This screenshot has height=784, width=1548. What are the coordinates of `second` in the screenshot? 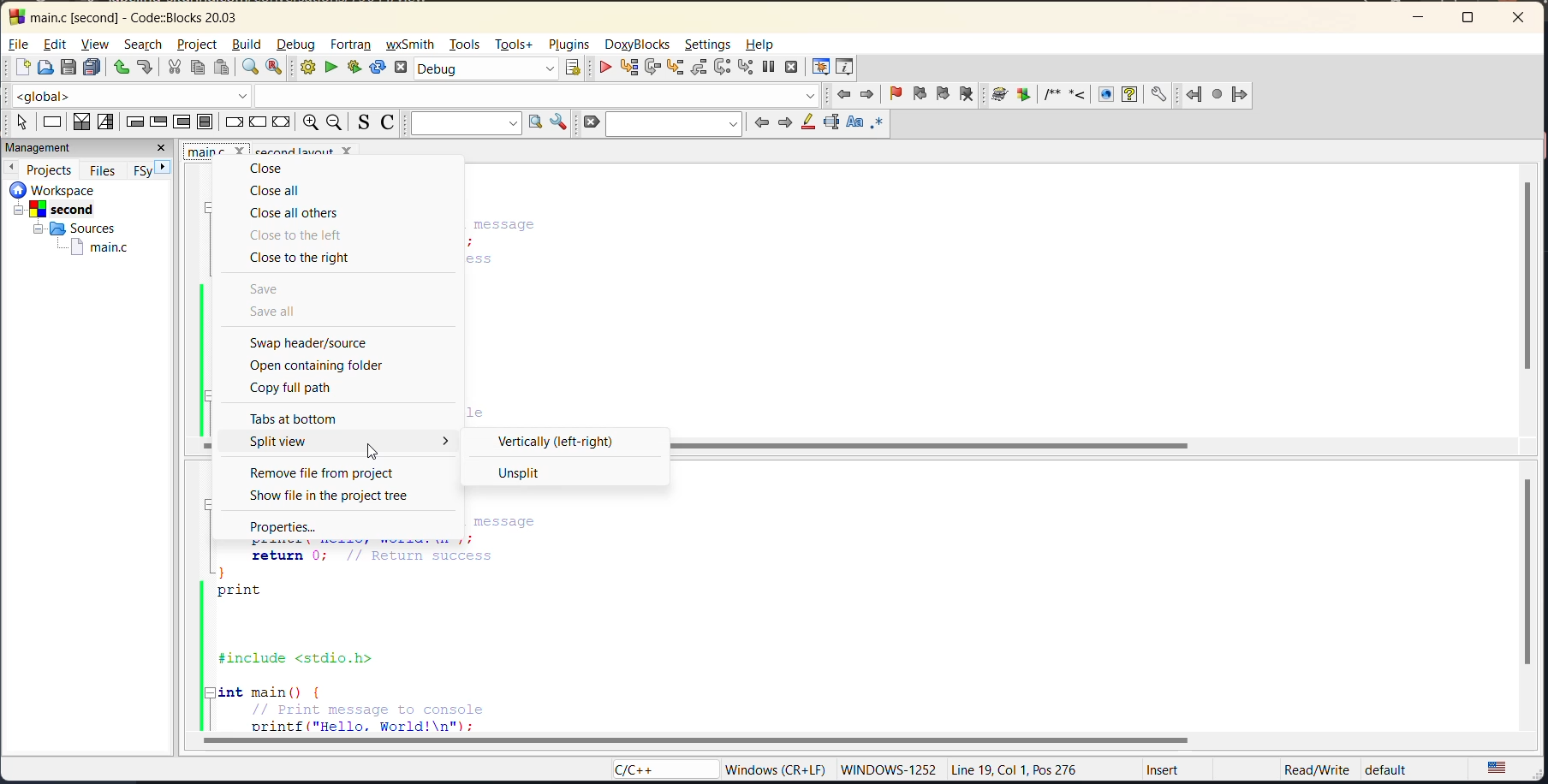 It's located at (52, 211).